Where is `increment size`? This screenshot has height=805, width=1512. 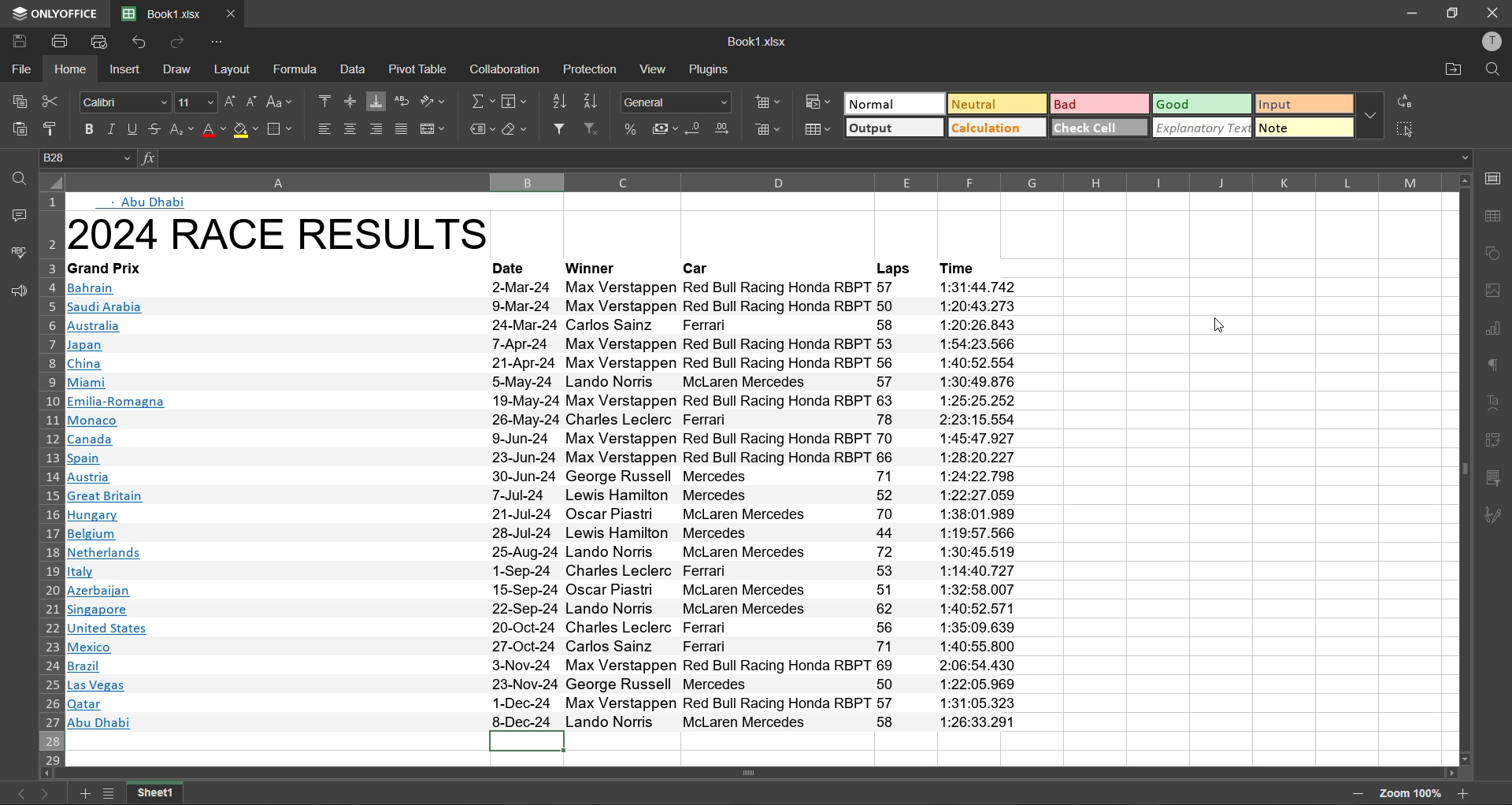
increment size is located at coordinates (230, 102).